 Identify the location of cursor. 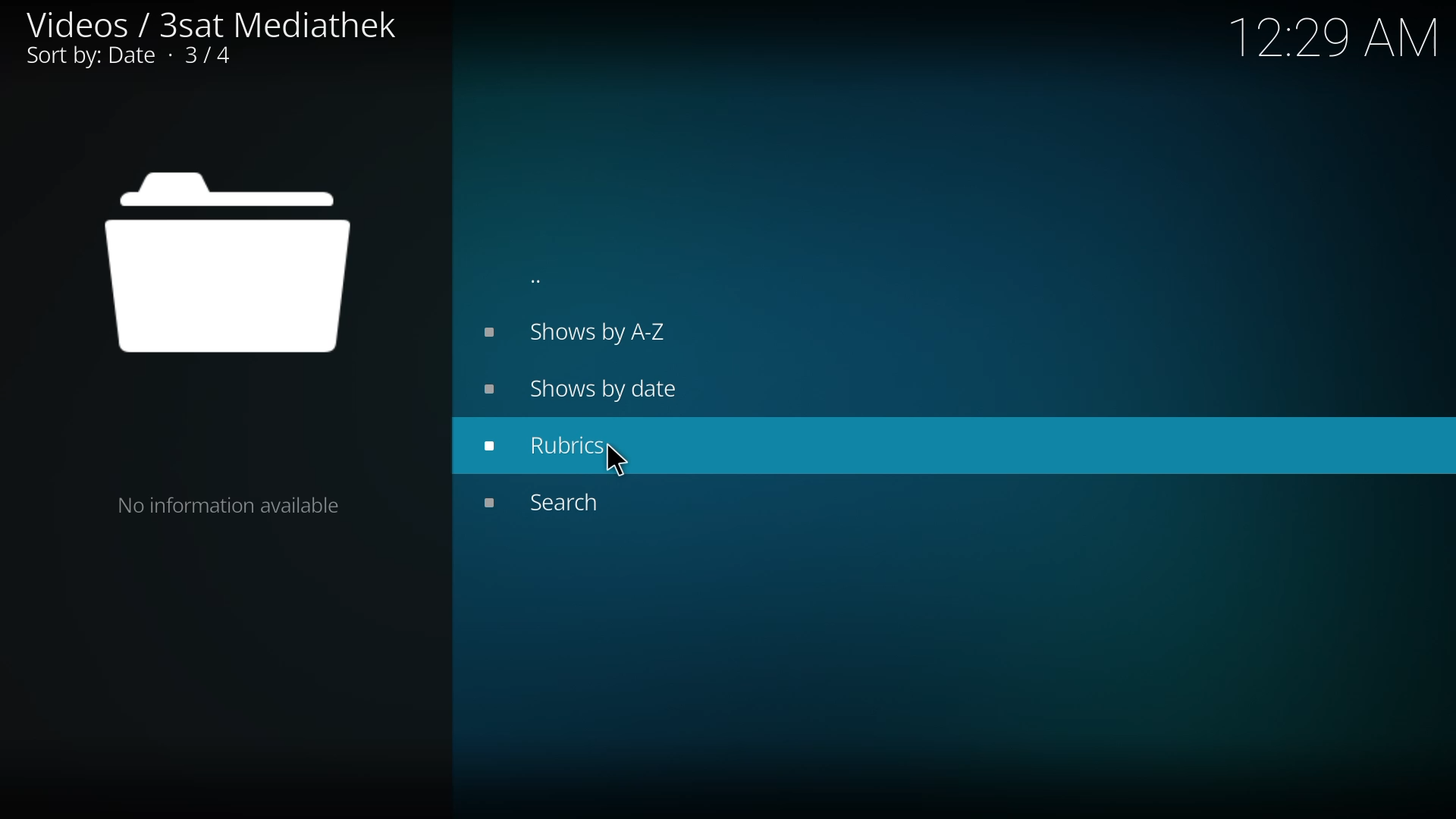
(614, 460).